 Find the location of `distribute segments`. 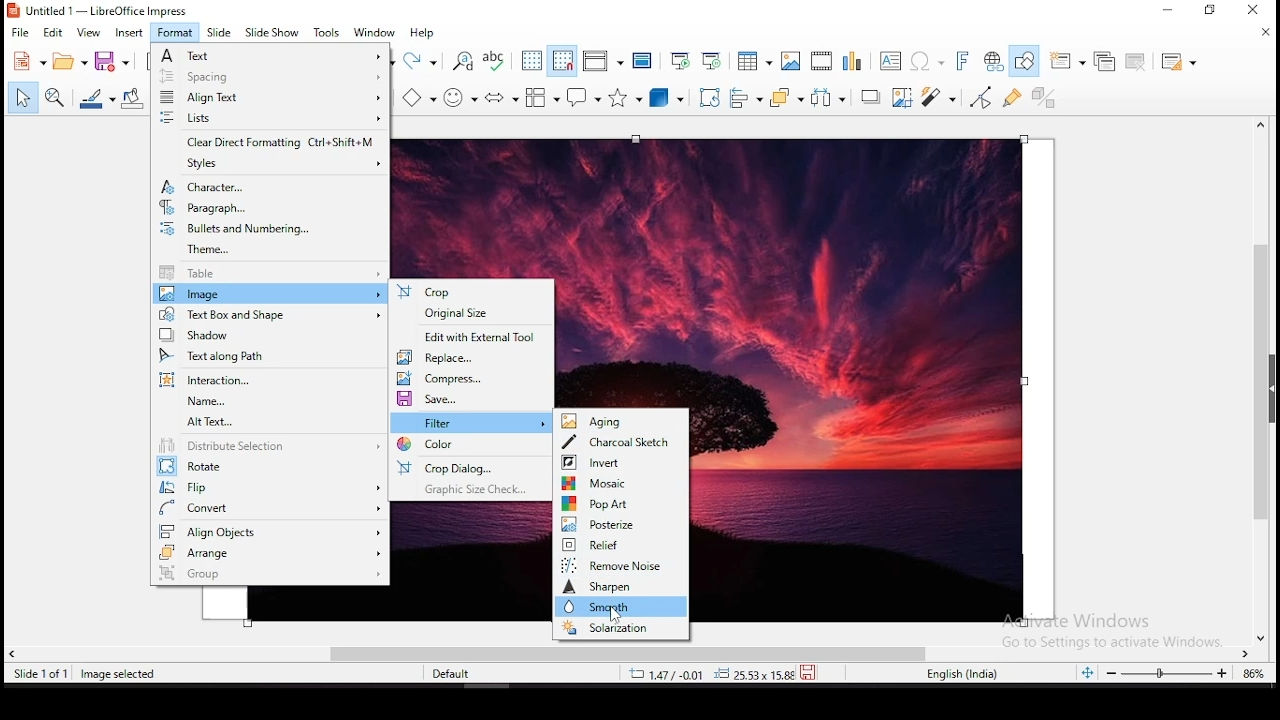

distribute segments is located at coordinates (270, 447).